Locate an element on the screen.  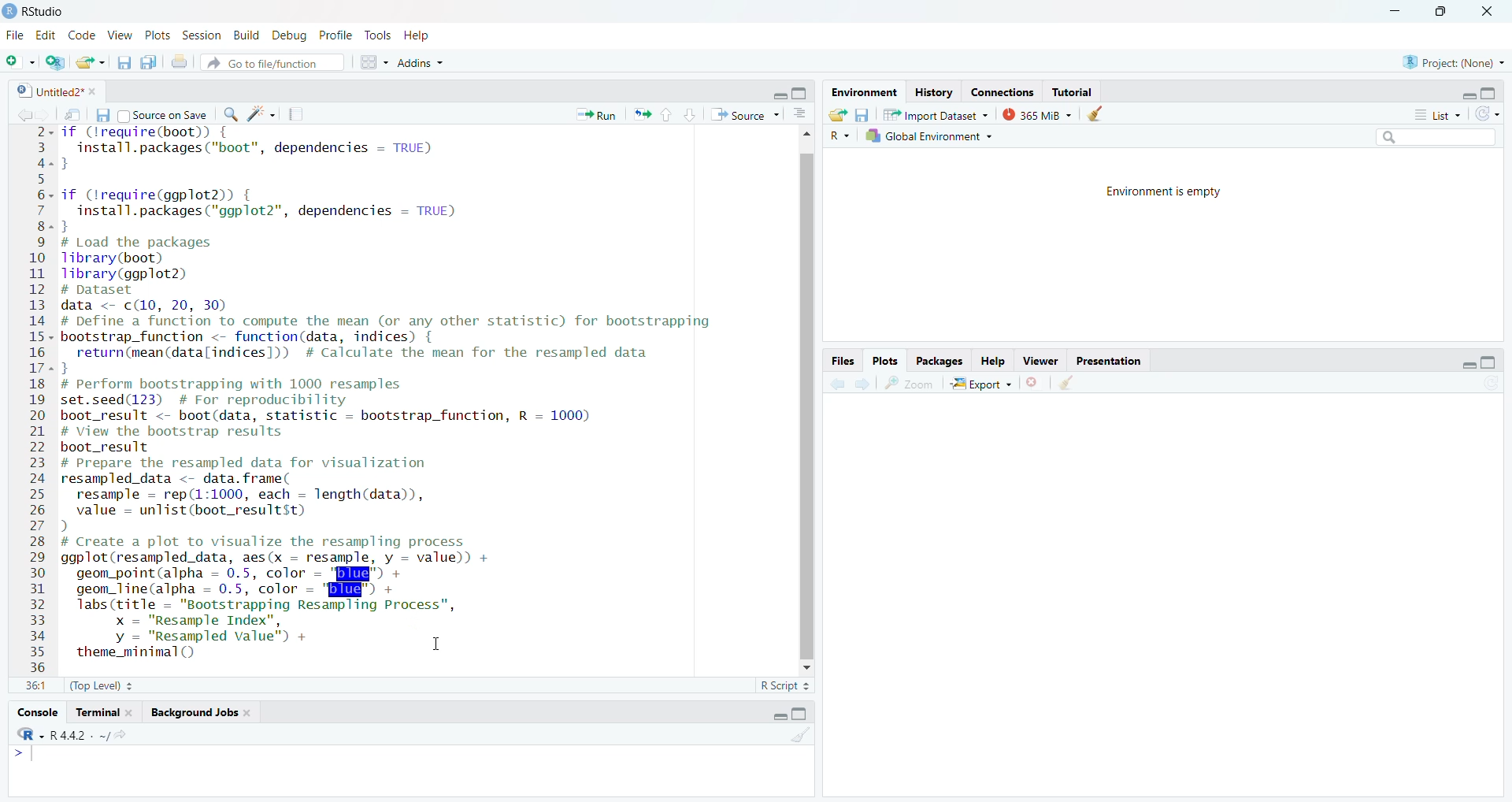
install.packages ("boot", dependencies = TRUE)
}
if (lrequire(ggplot2)) {
install.packages("ggplot2", dependencies = TRUE)
3
# Load the packages
Tibrary(boot)
Tibrary(ggplot2)
# Dataset
data <- c(10, 20, 30)
# Define a function to compute the mean (or any other statistic) for bootstrapping
bootstrap_function <- function(data, indices) {
return(mean(datalindices])) # Calculate the mean for the resampled data
3
# perform bootstrapping with 1000 resamples
set.seed(123) # For reproducibility
boot_result <- boot(data, statistic = bootstrap_function, R = 1000)
# View the bootstrap results
boot_result
# Prepare the resampled data for visualization
resampled_data <- data. frame(
resample = rep(1:1000, each = Tlength(data)),
value = unlist(boot_resultst)
)
# Create a plot to visualize the resampling process
ggplot(resampled_data, aes(x = resample, y = value)) +
geom_point(alpha = 0.5, color =" |") +
geom_line(alpha = 0.5, color = " I") +
Tabs(title = "Bootstrapping Resampling Process",
x = "Resample Index",
y = "Resampled value") + 1
theme_minimal () is located at coordinates (398, 401).